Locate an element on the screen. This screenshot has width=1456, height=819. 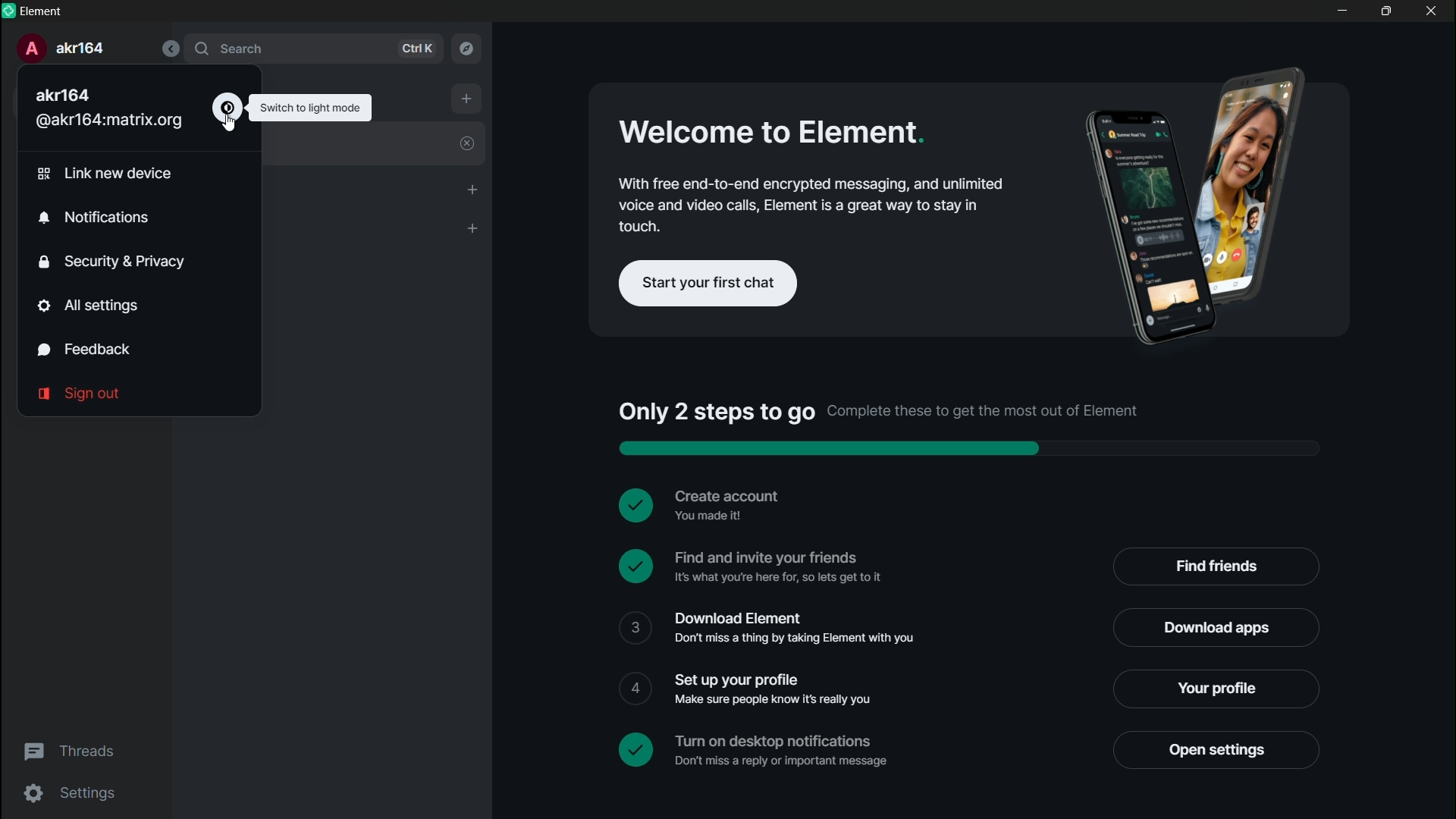
settings is located at coordinates (71, 795).